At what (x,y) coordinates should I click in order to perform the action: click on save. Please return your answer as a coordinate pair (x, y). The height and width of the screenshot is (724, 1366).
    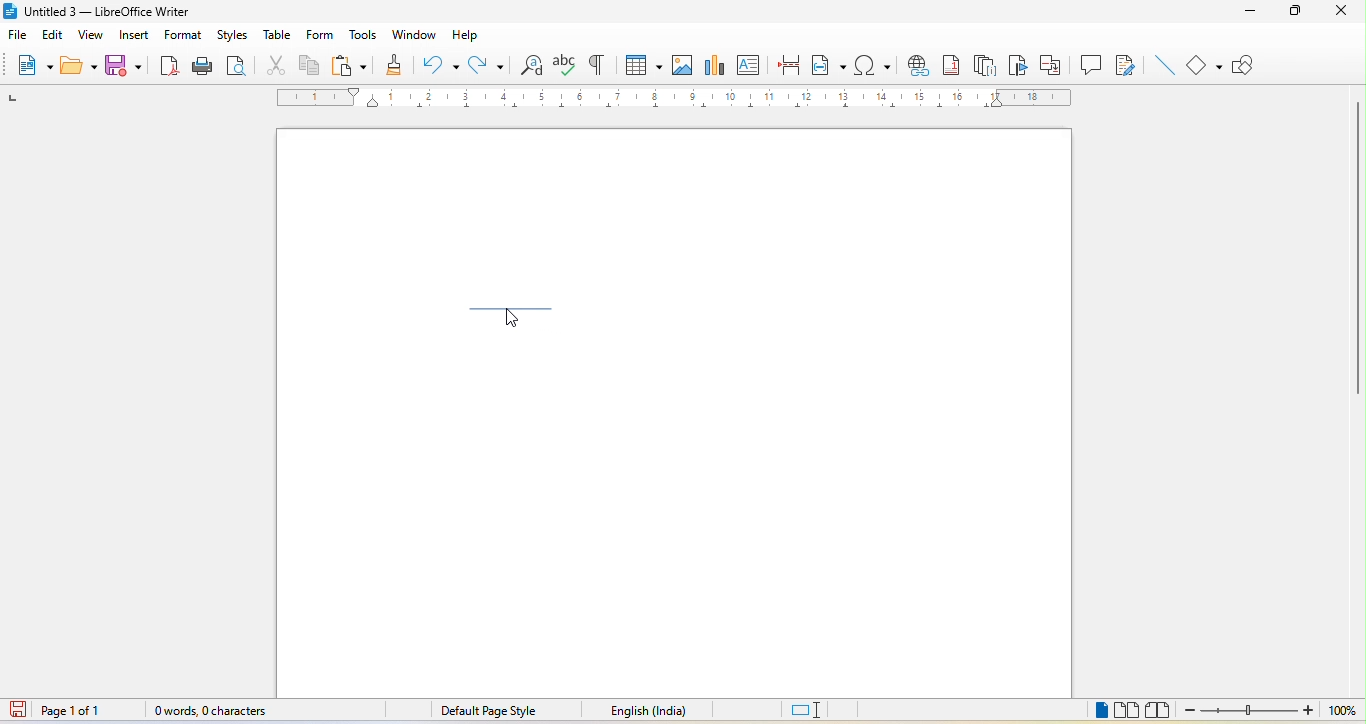
    Looking at the image, I should click on (126, 66).